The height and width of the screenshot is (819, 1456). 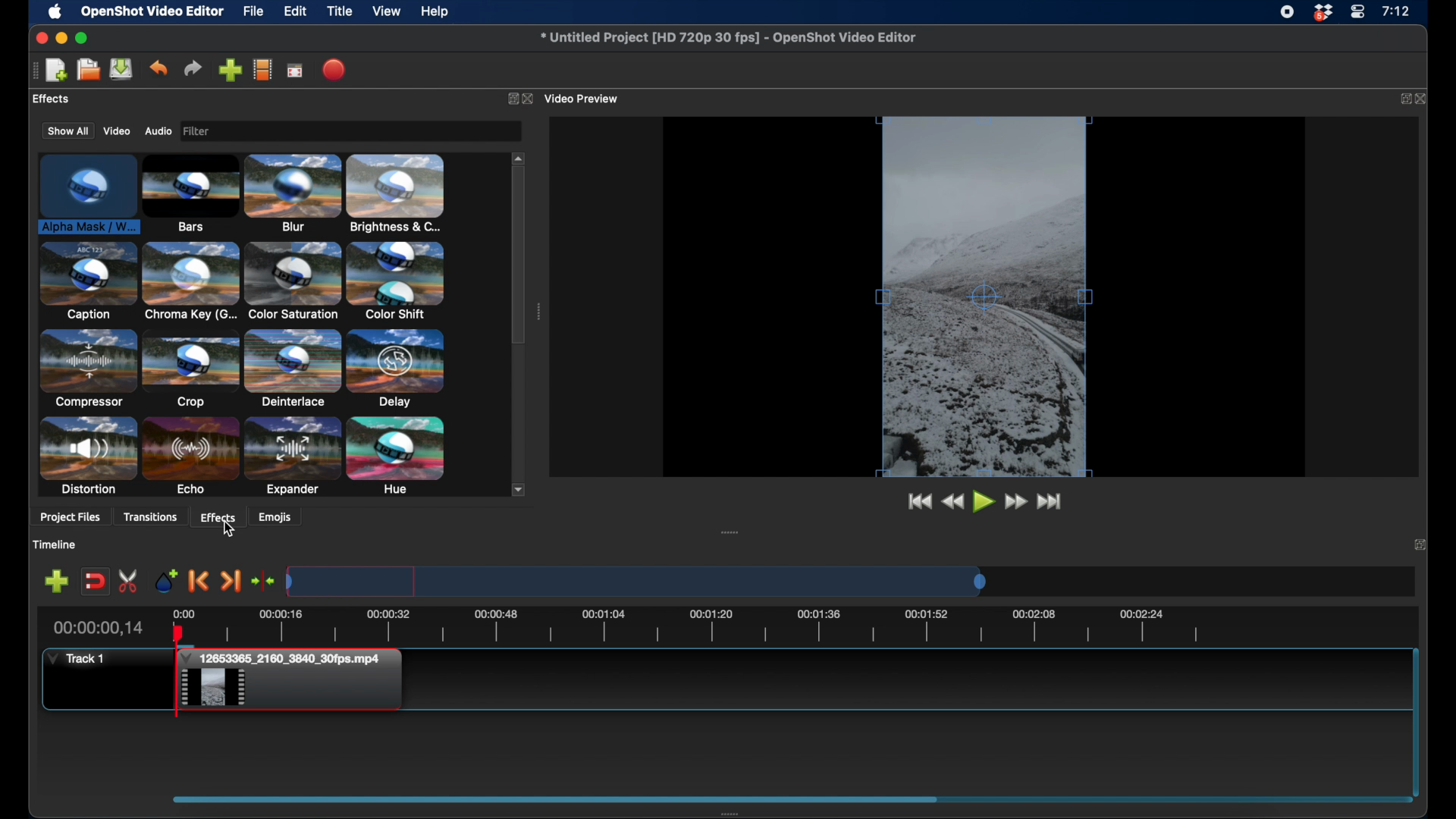 I want to click on effects, so click(x=218, y=516).